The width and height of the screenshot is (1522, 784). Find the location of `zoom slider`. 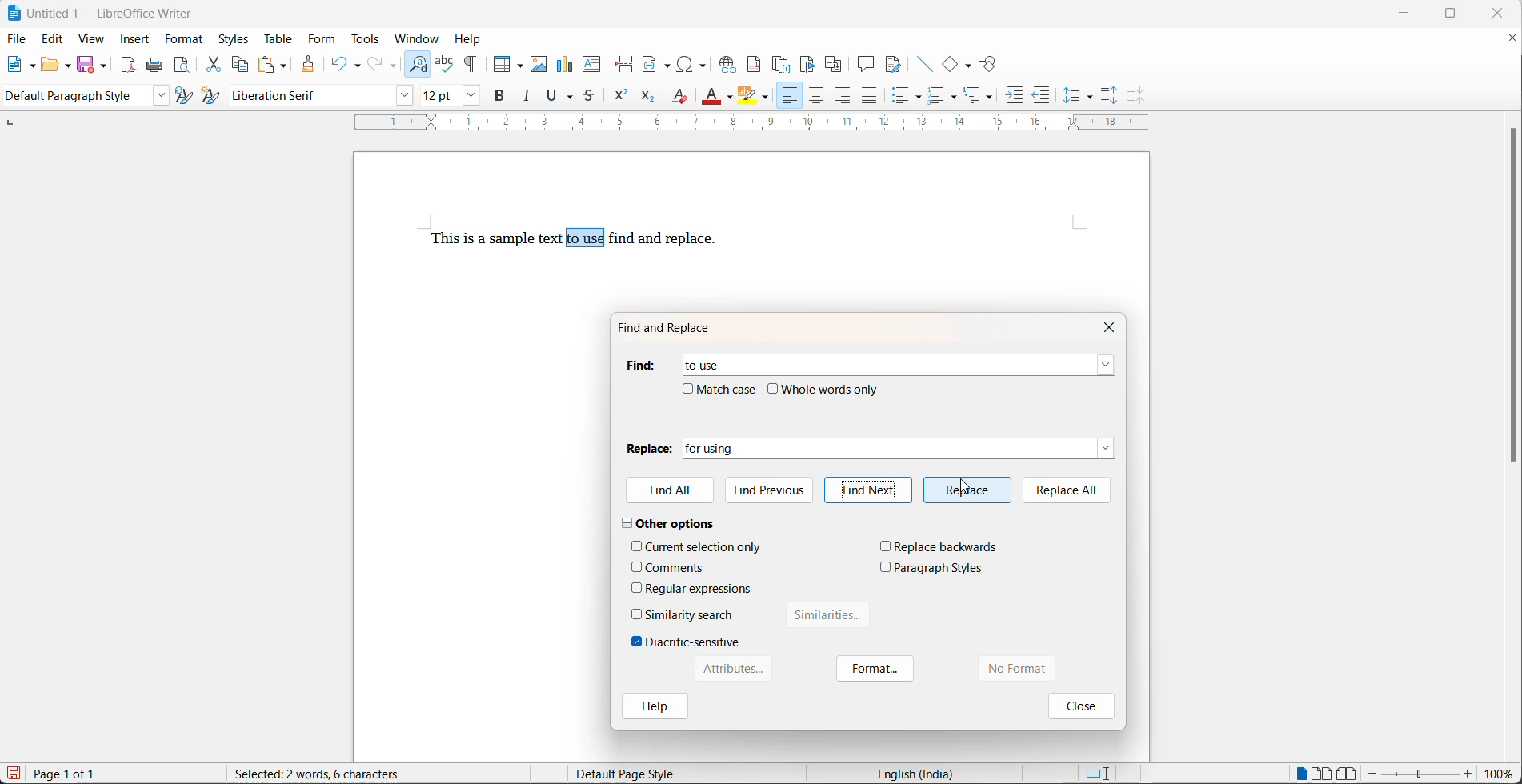

zoom slider is located at coordinates (1420, 774).